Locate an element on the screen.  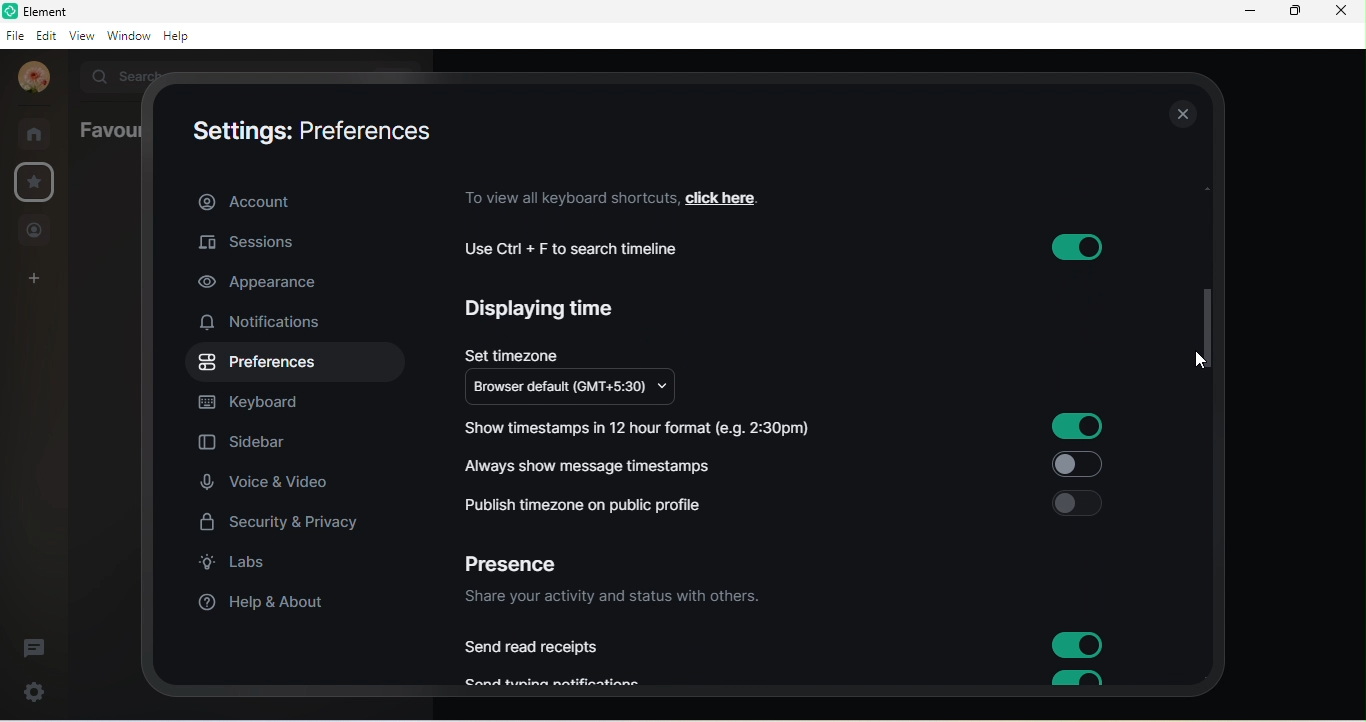
‘Show timestamps in 12 hour format (e.g. 2:30pm) is located at coordinates (636, 431).